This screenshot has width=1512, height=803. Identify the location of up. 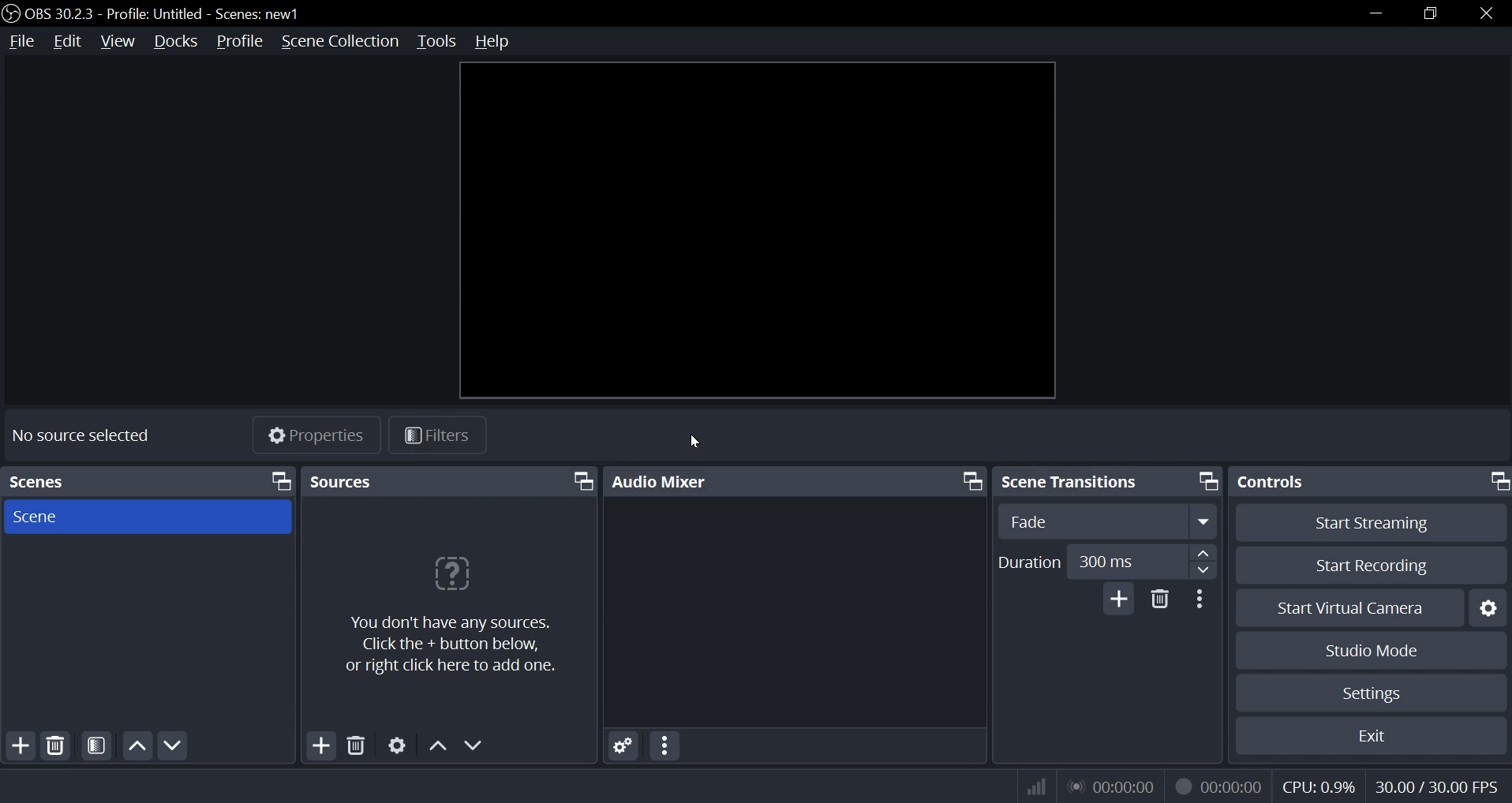
(1202, 552).